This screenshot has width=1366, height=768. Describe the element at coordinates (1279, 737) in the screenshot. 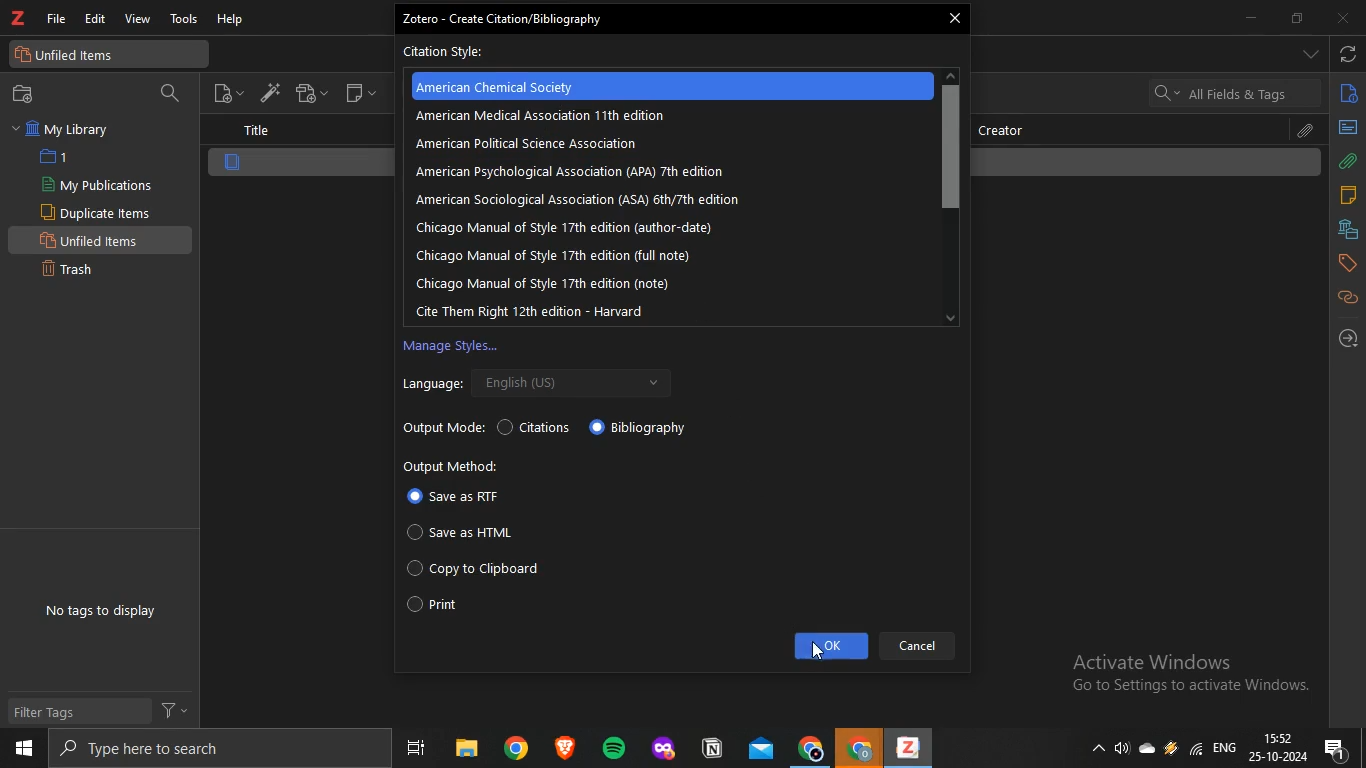

I see `time` at that location.